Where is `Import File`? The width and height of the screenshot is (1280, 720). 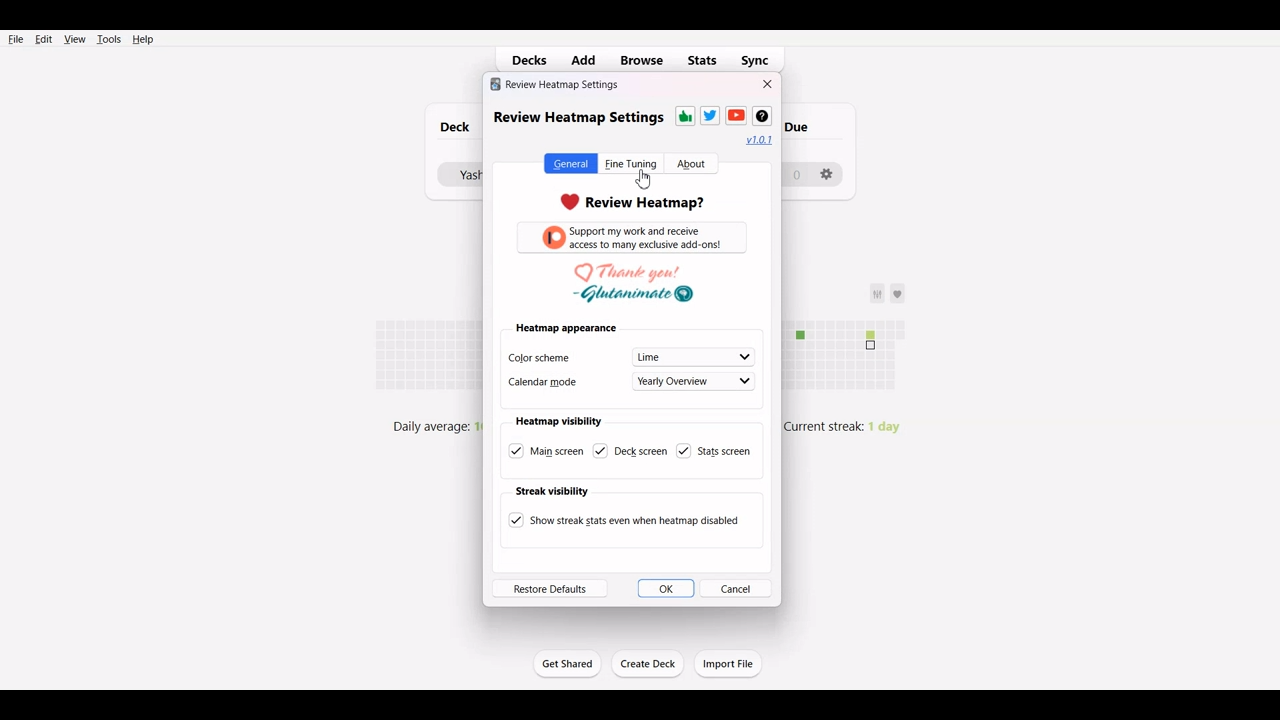
Import File is located at coordinates (729, 663).